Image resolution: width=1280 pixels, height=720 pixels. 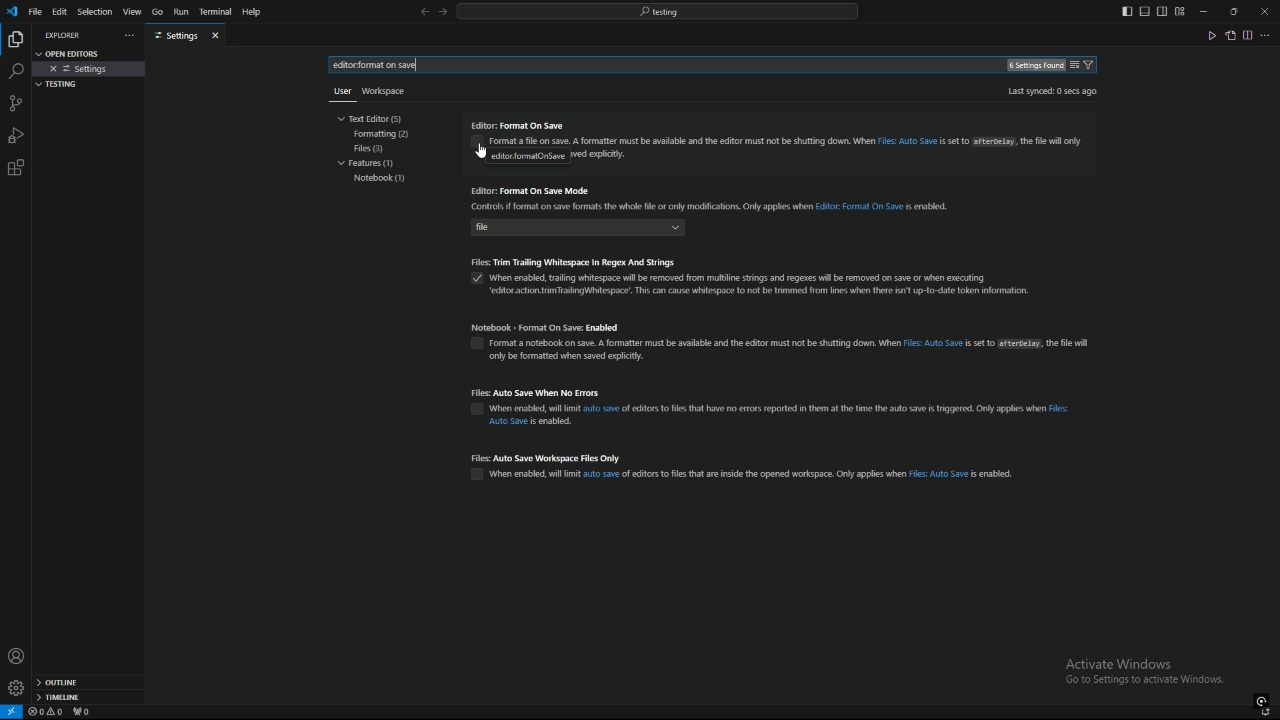 What do you see at coordinates (657, 11) in the screenshot?
I see `search bar` at bounding box center [657, 11].